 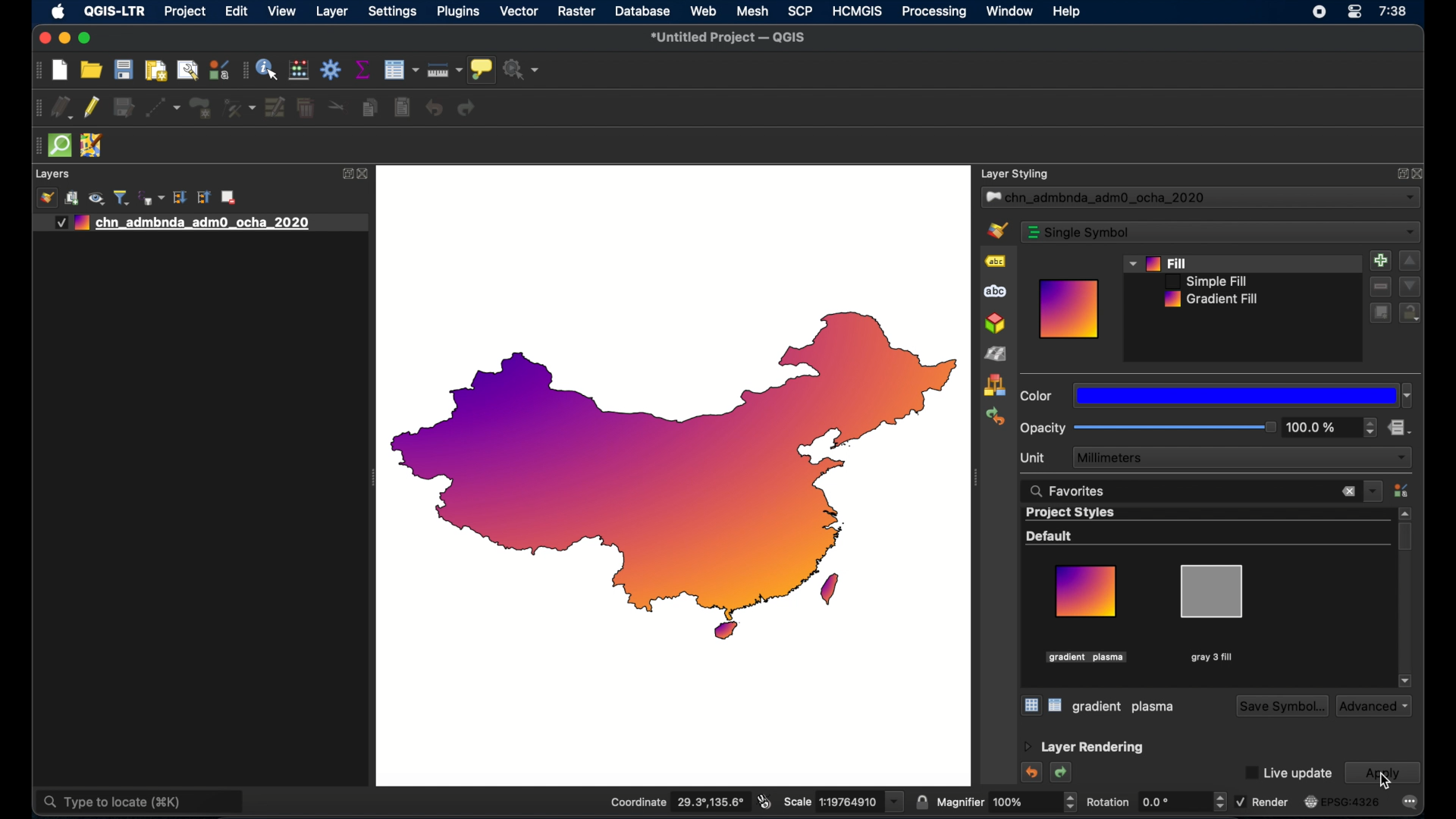 What do you see at coordinates (1381, 261) in the screenshot?
I see `add` at bounding box center [1381, 261].